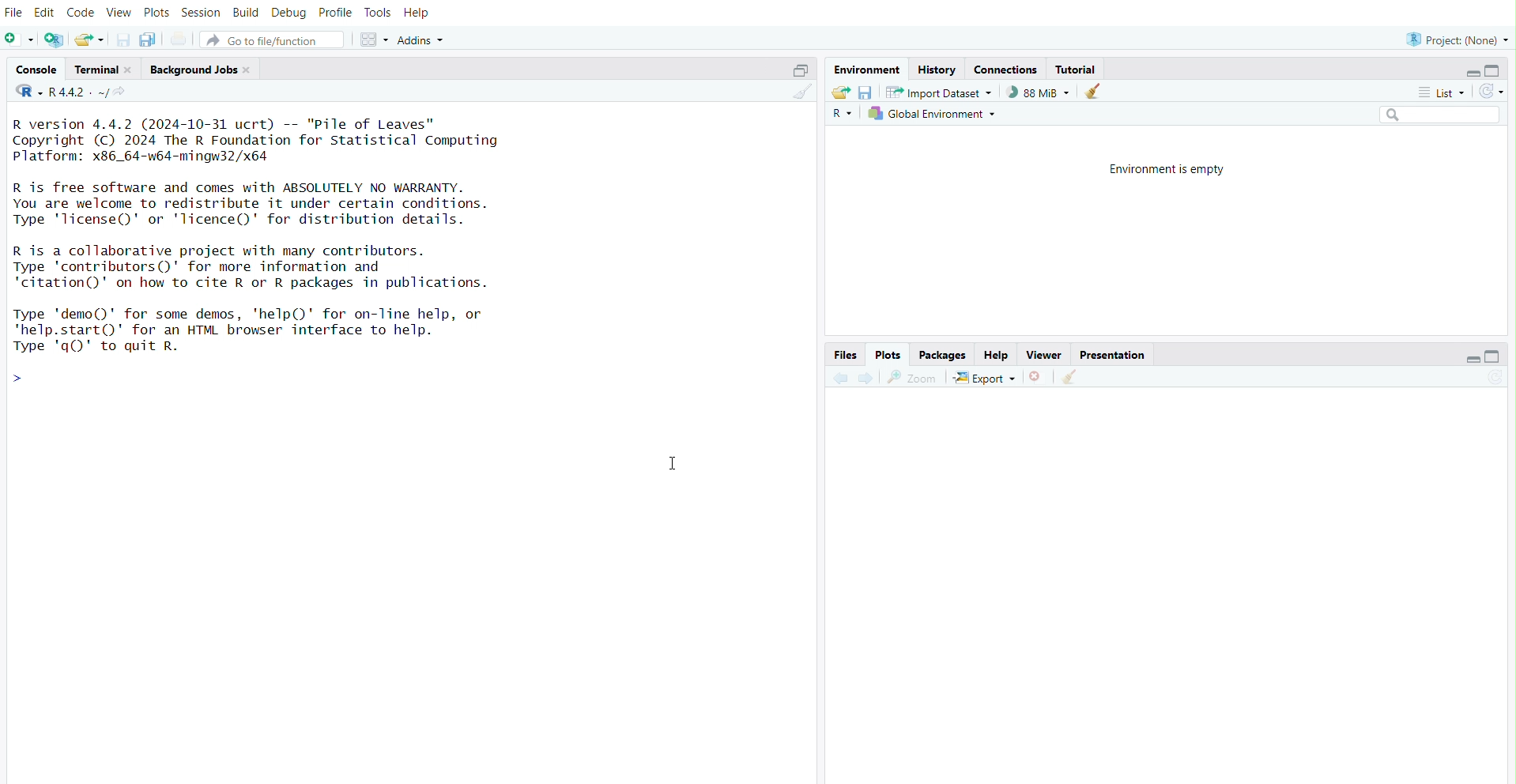 The image size is (1516, 784). What do you see at coordinates (1454, 38) in the screenshot?
I see `project: (None)` at bounding box center [1454, 38].